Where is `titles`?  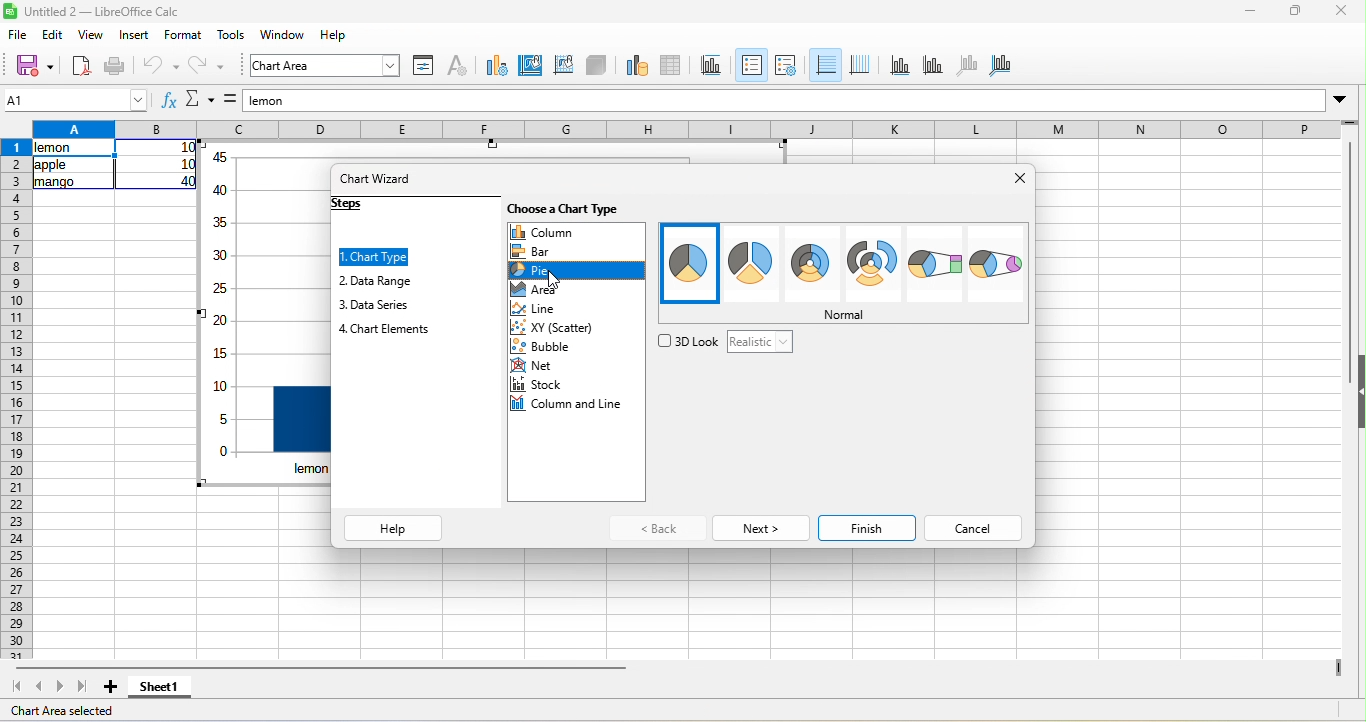
titles is located at coordinates (713, 64).